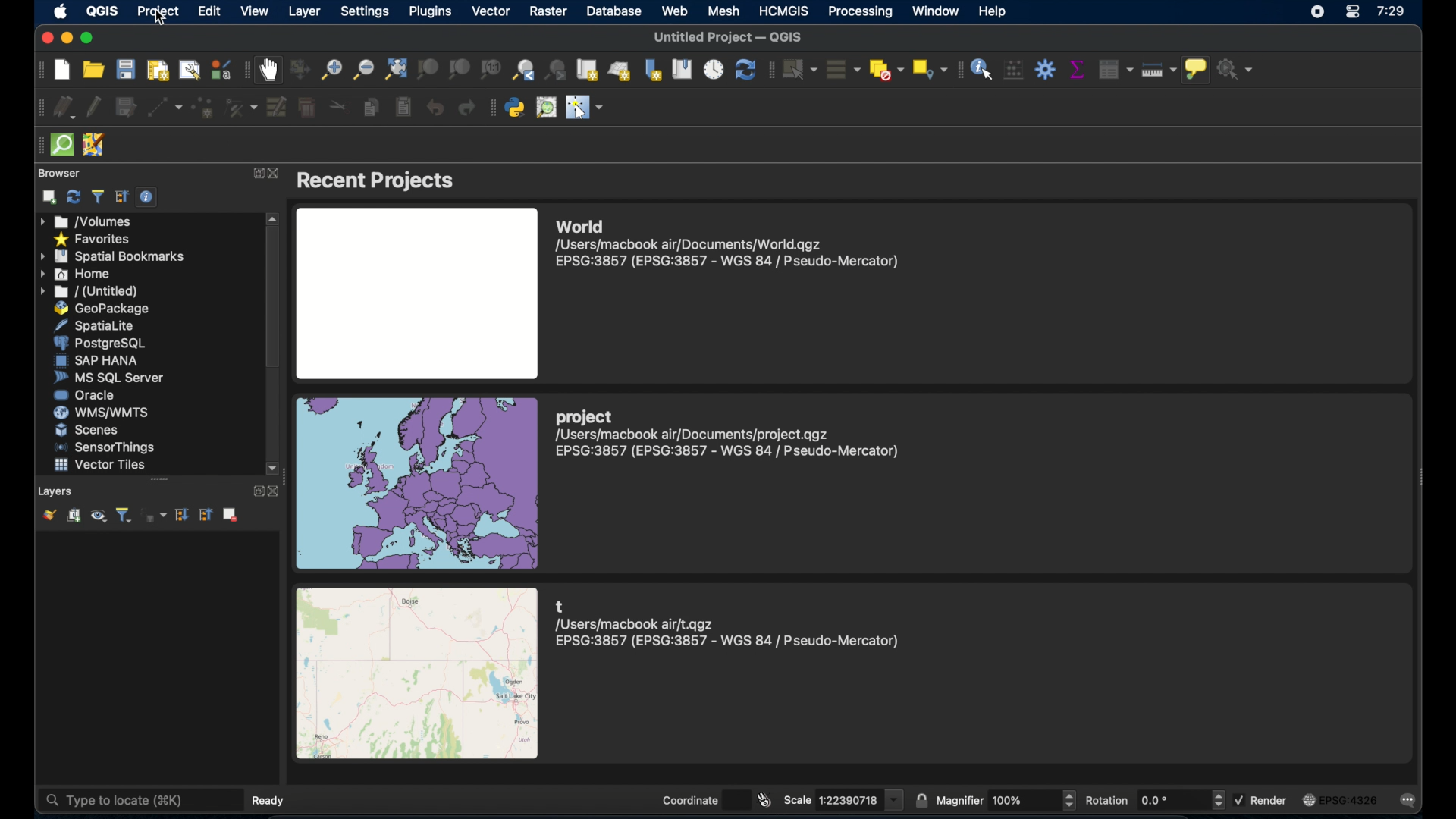  Describe the element at coordinates (550, 11) in the screenshot. I see `raster` at that location.